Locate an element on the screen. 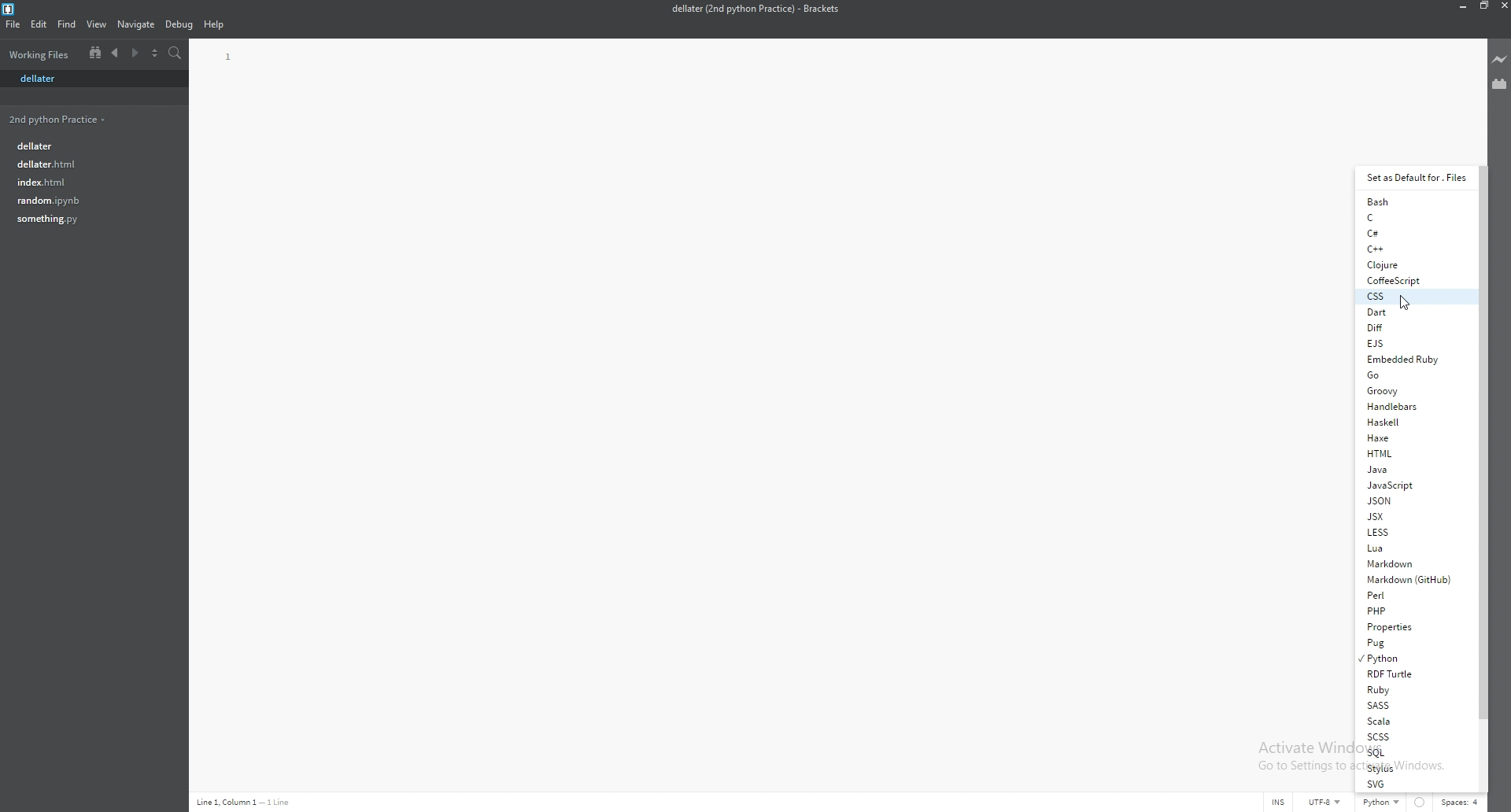 This screenshot has width=1511, height=812. embedded ruby is located at coordinates (1410, 359).